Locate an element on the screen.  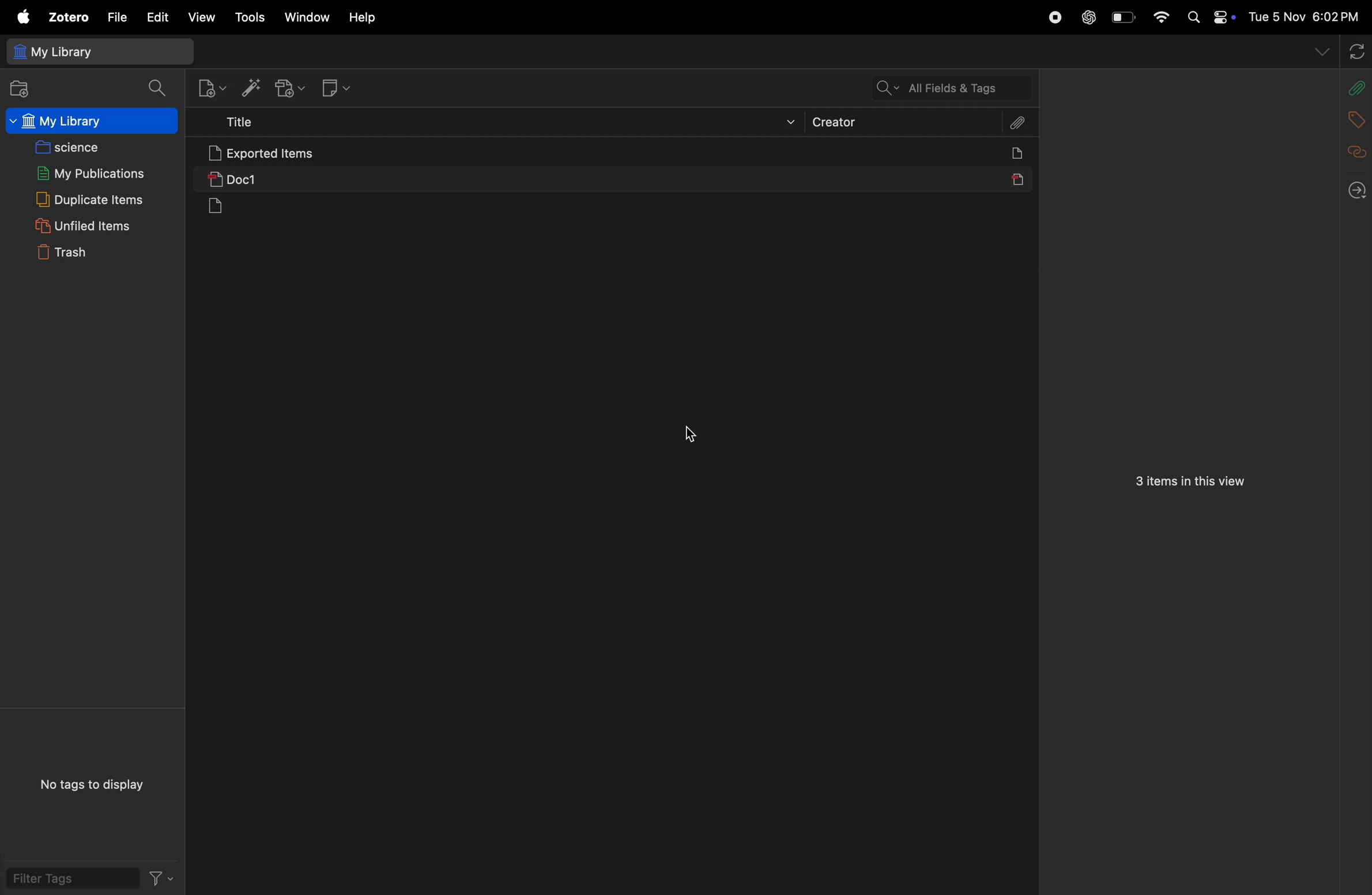
science is located at coordinates (72, 147).